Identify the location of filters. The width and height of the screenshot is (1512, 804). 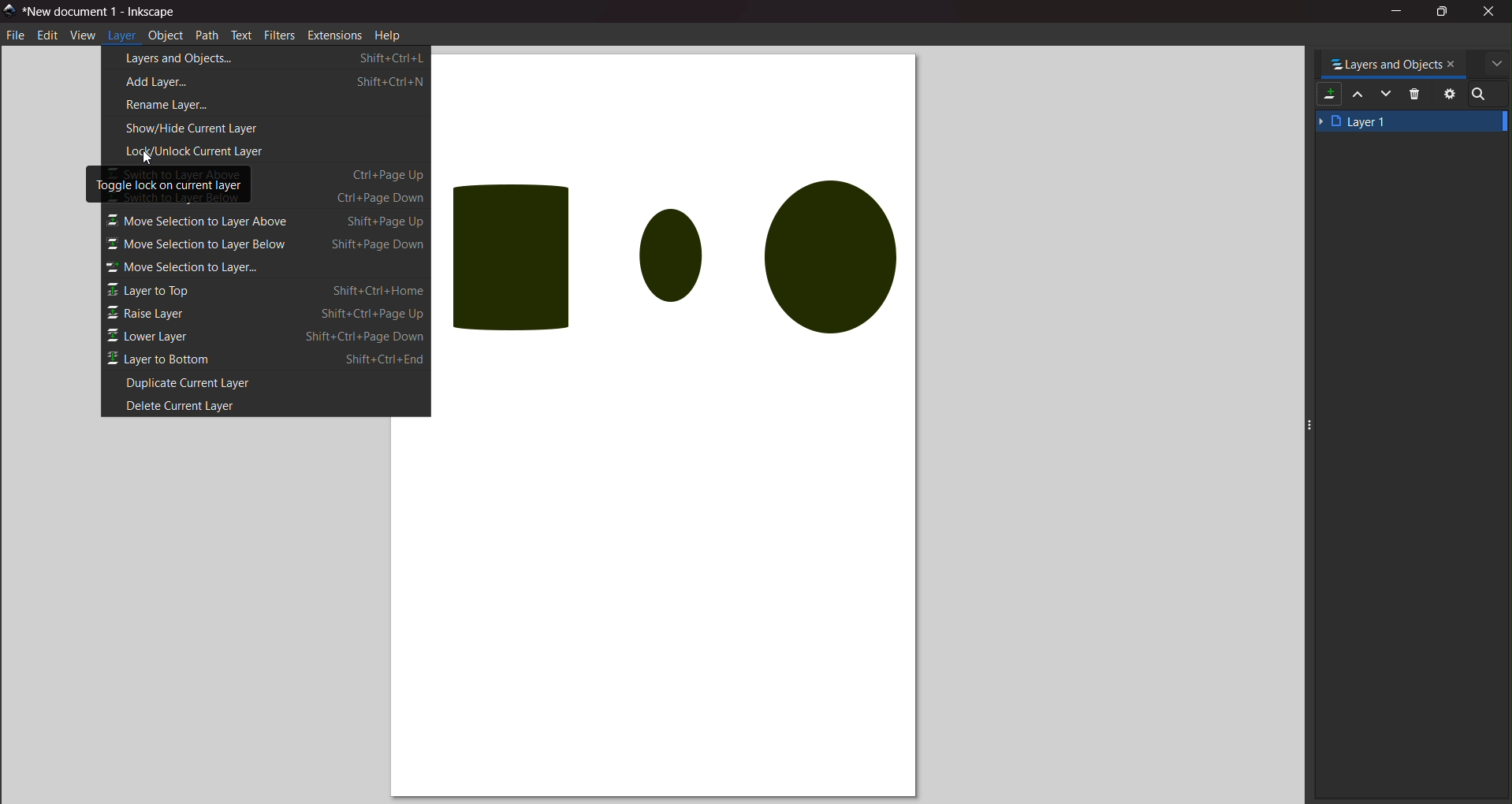
(281, 34).